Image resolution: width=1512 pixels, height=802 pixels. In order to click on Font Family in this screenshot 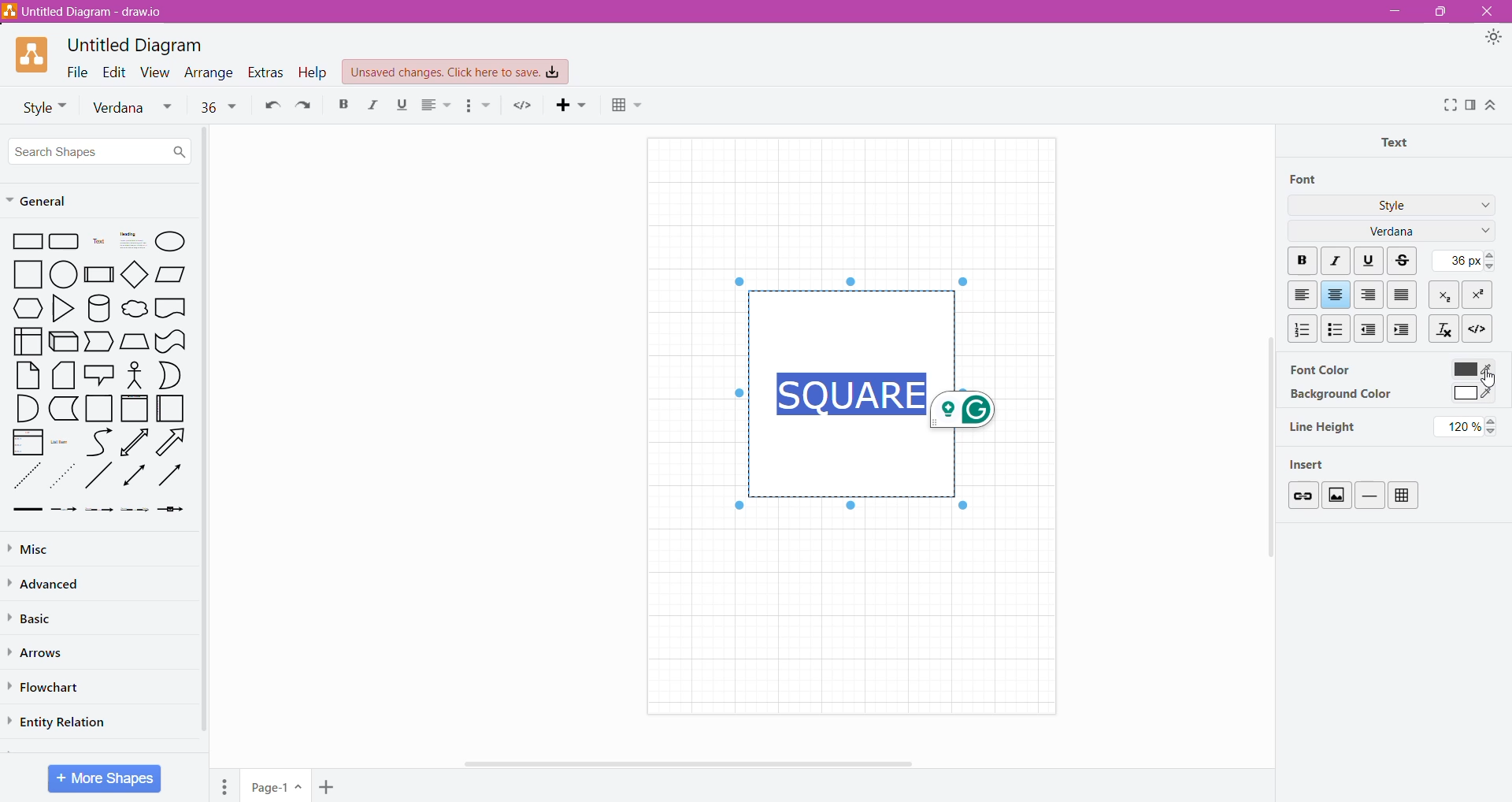, I will do `click(1482, 232)`.